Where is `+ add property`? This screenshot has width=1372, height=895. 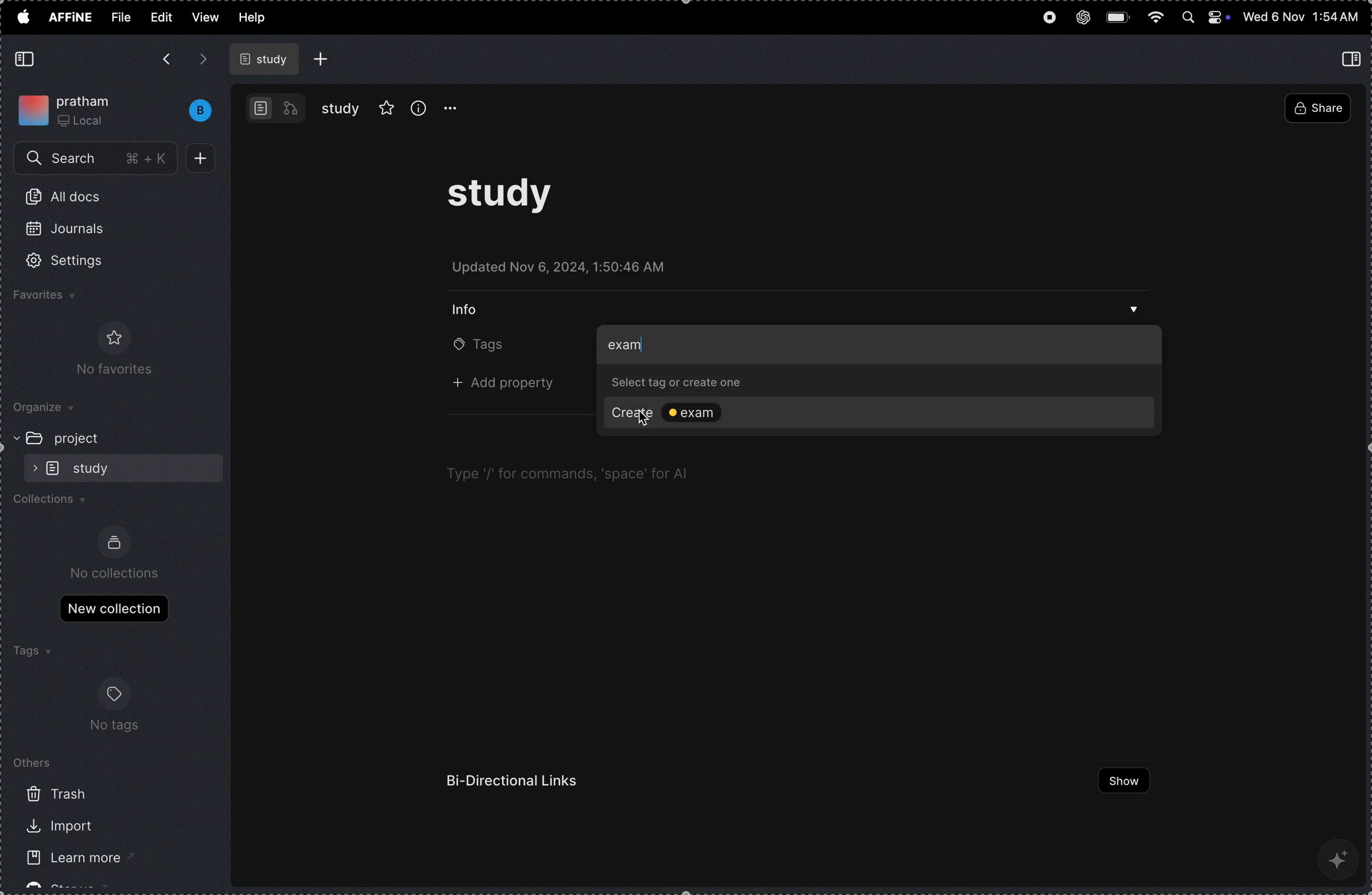
+ add property is located at coordinates (510, 385).